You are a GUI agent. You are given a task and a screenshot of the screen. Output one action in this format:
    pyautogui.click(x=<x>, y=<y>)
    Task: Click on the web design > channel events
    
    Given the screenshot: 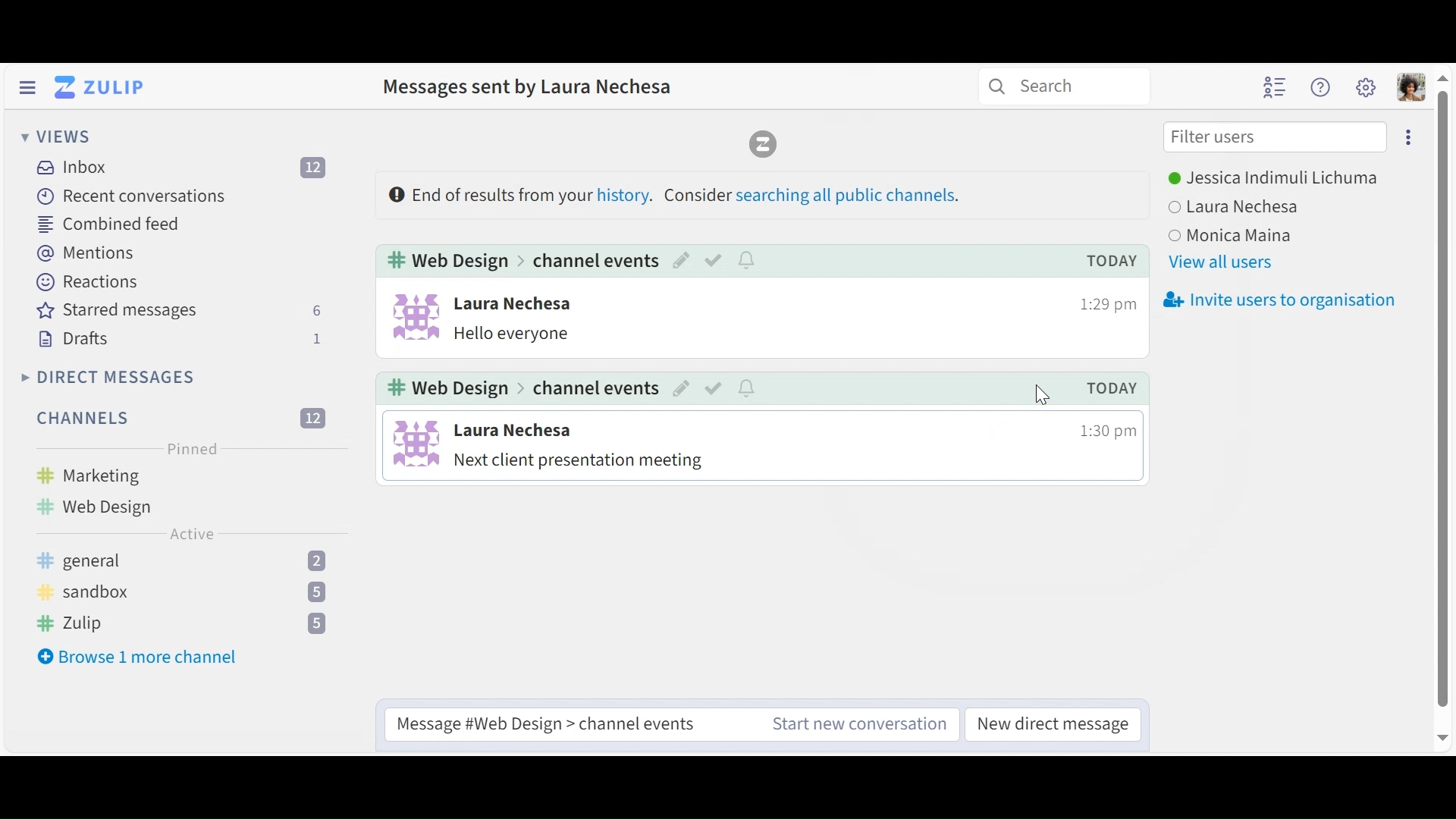 What is the action you would take?
    pyautogui.click(x=521, y=260)
    